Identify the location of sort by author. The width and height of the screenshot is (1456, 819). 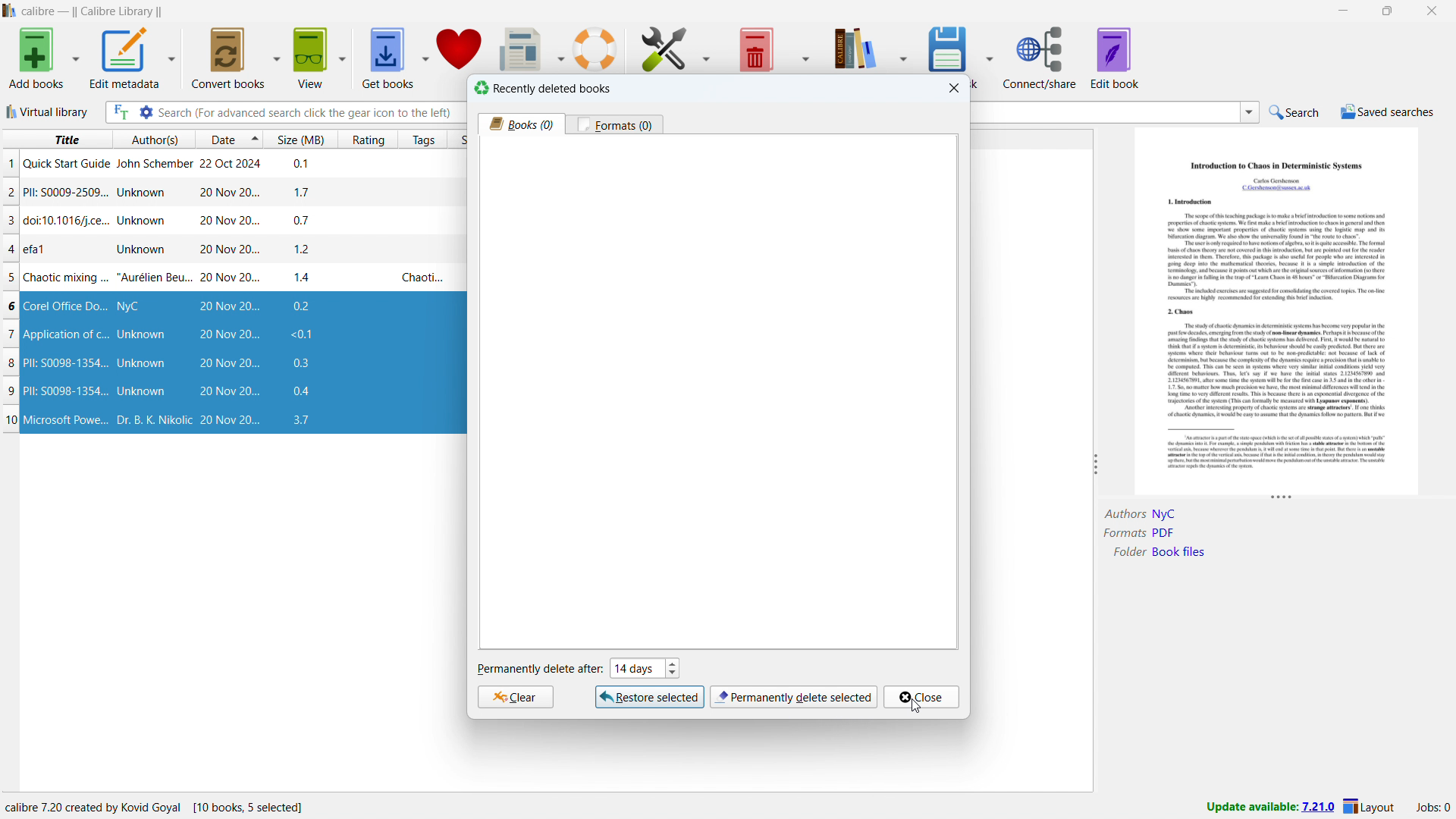
(146, 139).